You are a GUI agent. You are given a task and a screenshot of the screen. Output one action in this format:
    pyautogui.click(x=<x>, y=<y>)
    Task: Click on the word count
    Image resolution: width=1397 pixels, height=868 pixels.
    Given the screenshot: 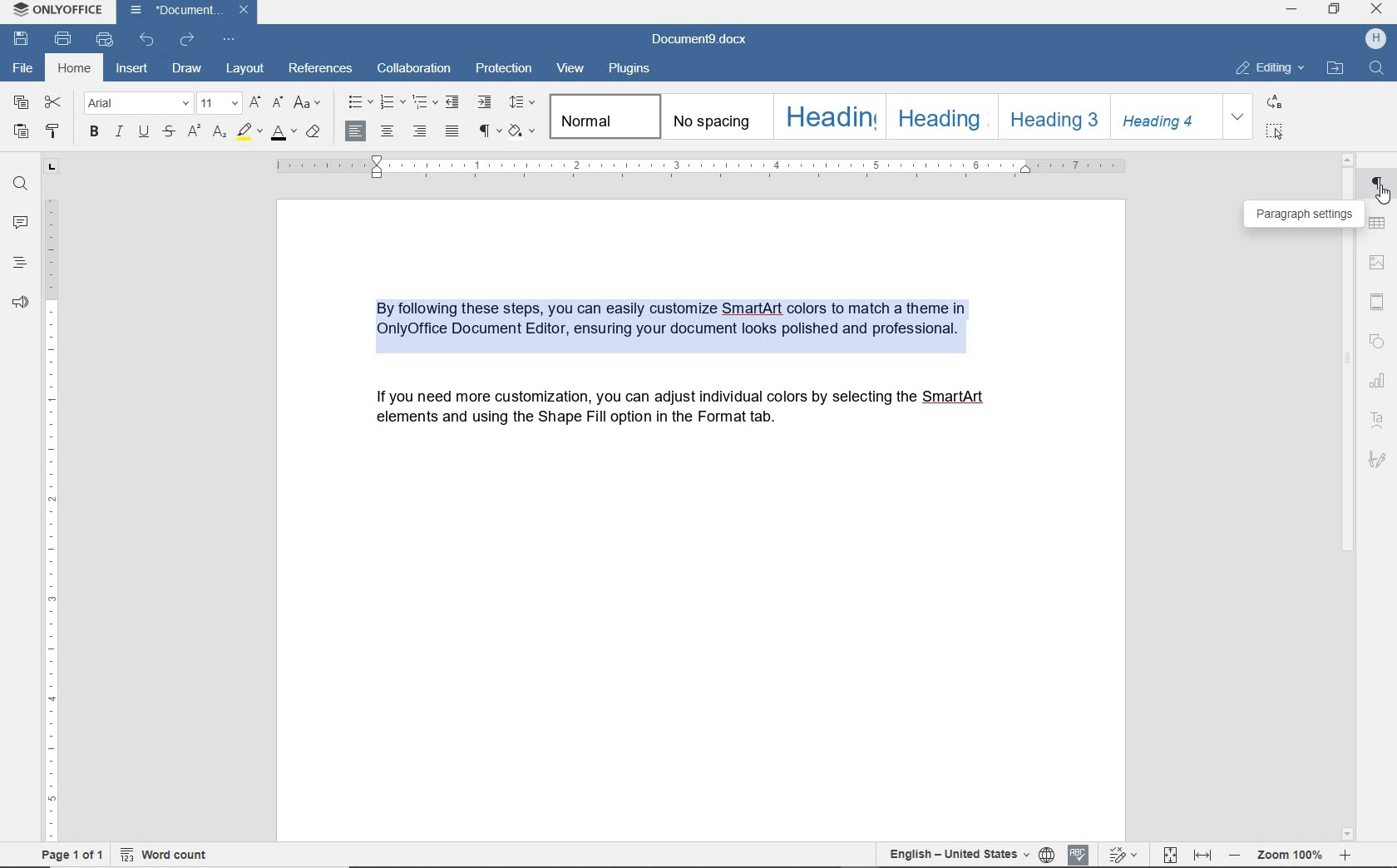 What is the action you would take?
    pyautogui.click(x=167, y=856)
    